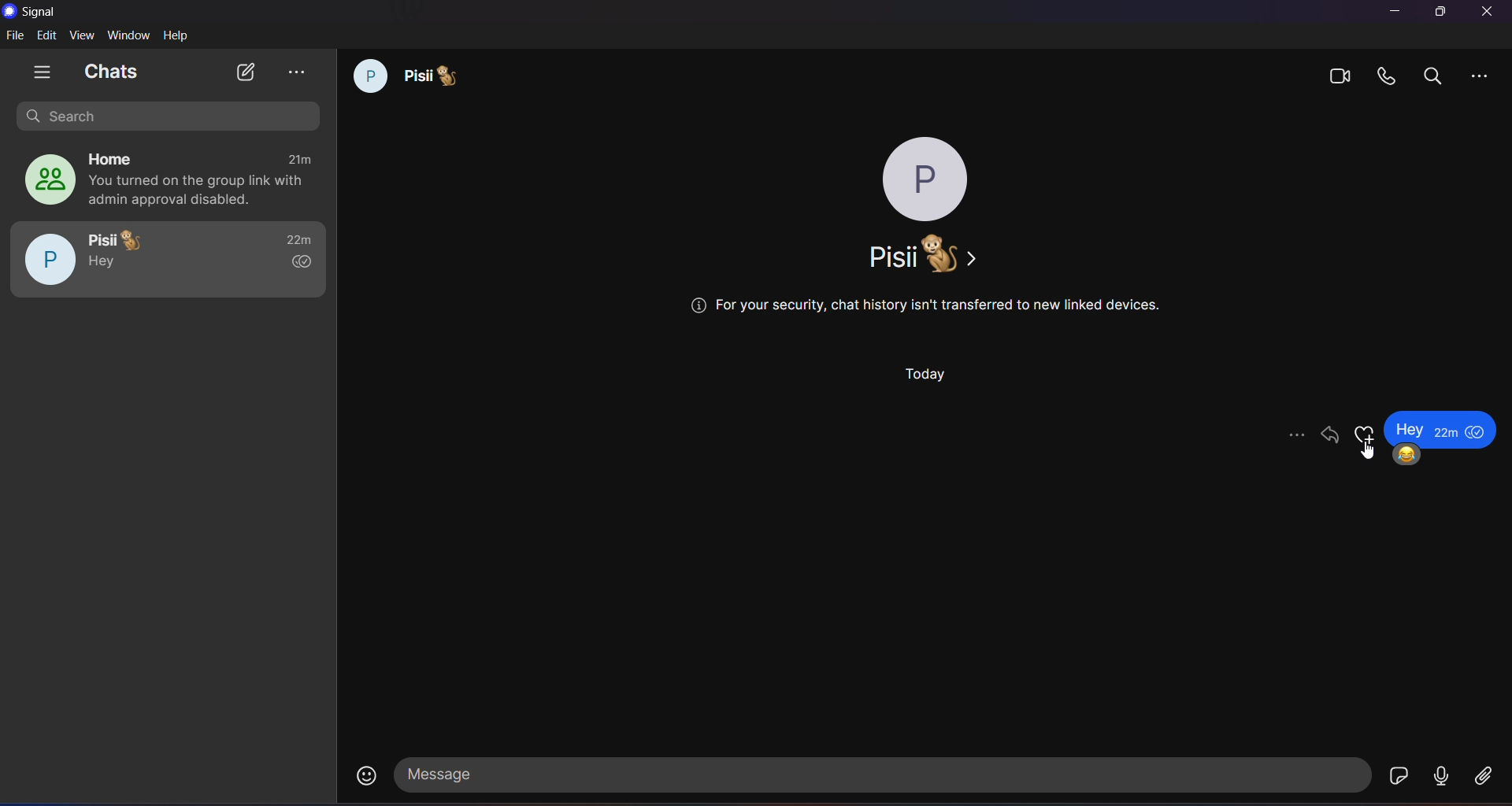  I want to click on home group chat, so click(164, 181).